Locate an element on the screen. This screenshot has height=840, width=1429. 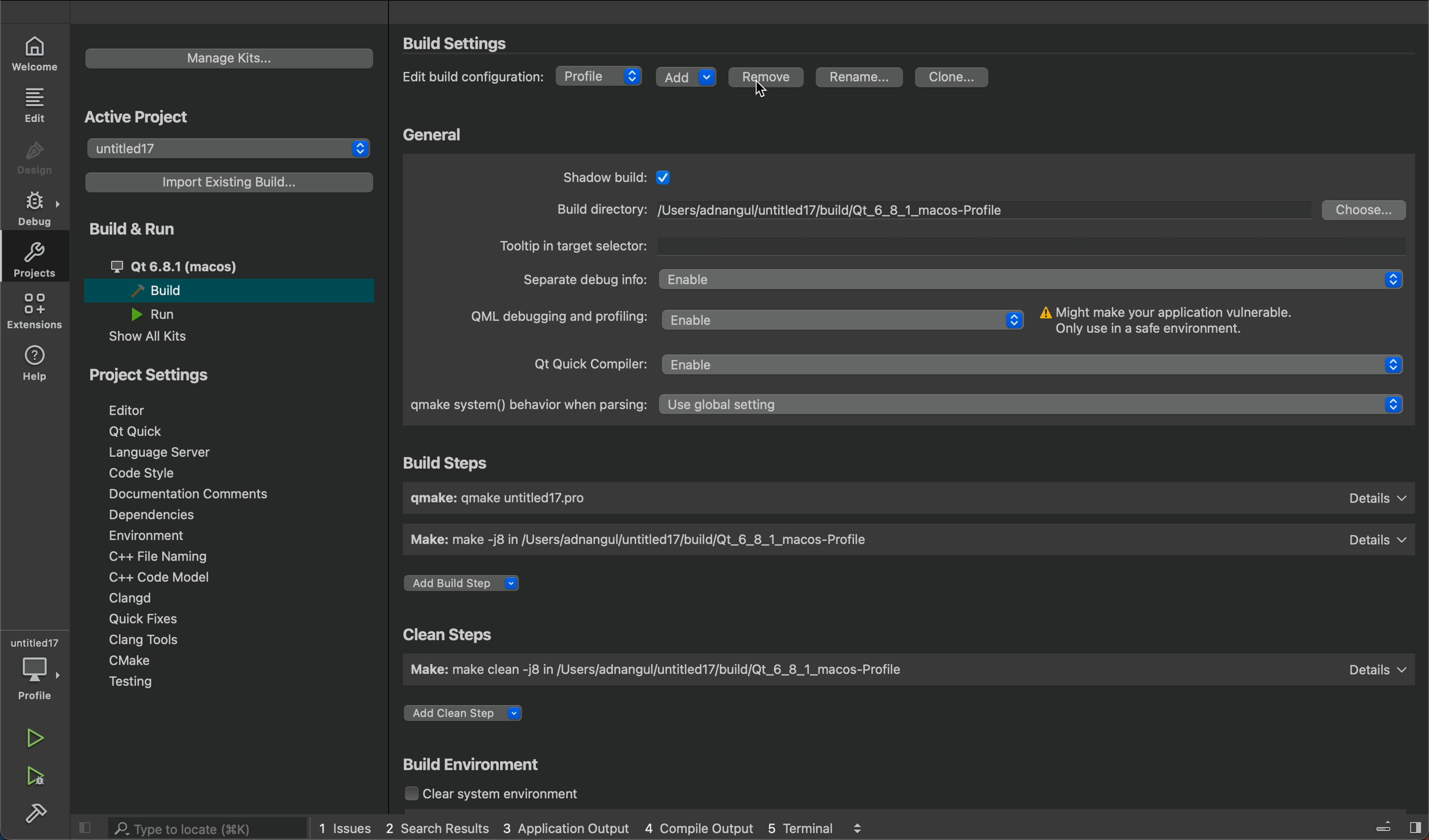
build environment  is located at coordinates (547, 766).